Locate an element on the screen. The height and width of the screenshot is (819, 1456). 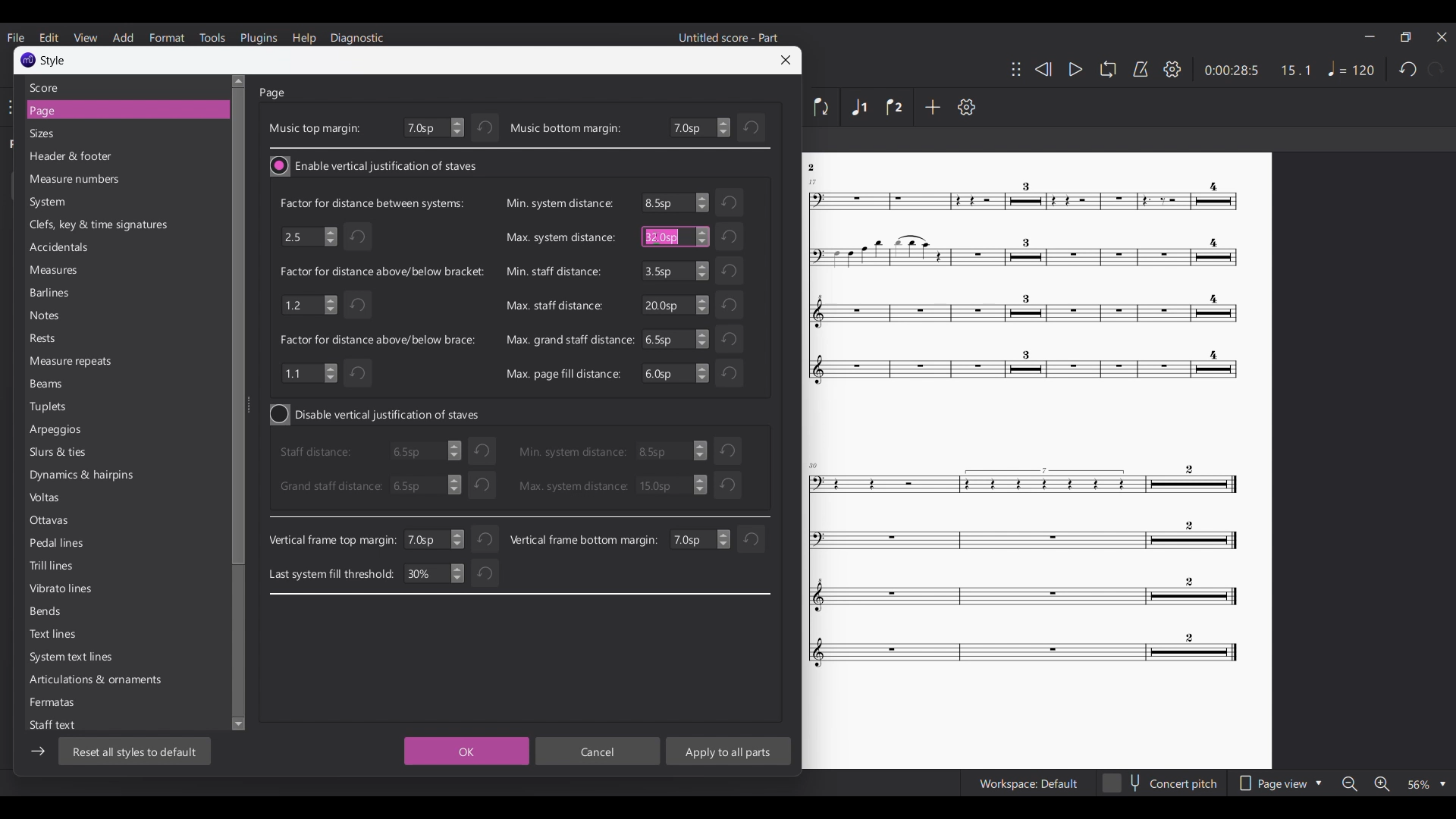
6.5sp is located at coordinates (676, 202).